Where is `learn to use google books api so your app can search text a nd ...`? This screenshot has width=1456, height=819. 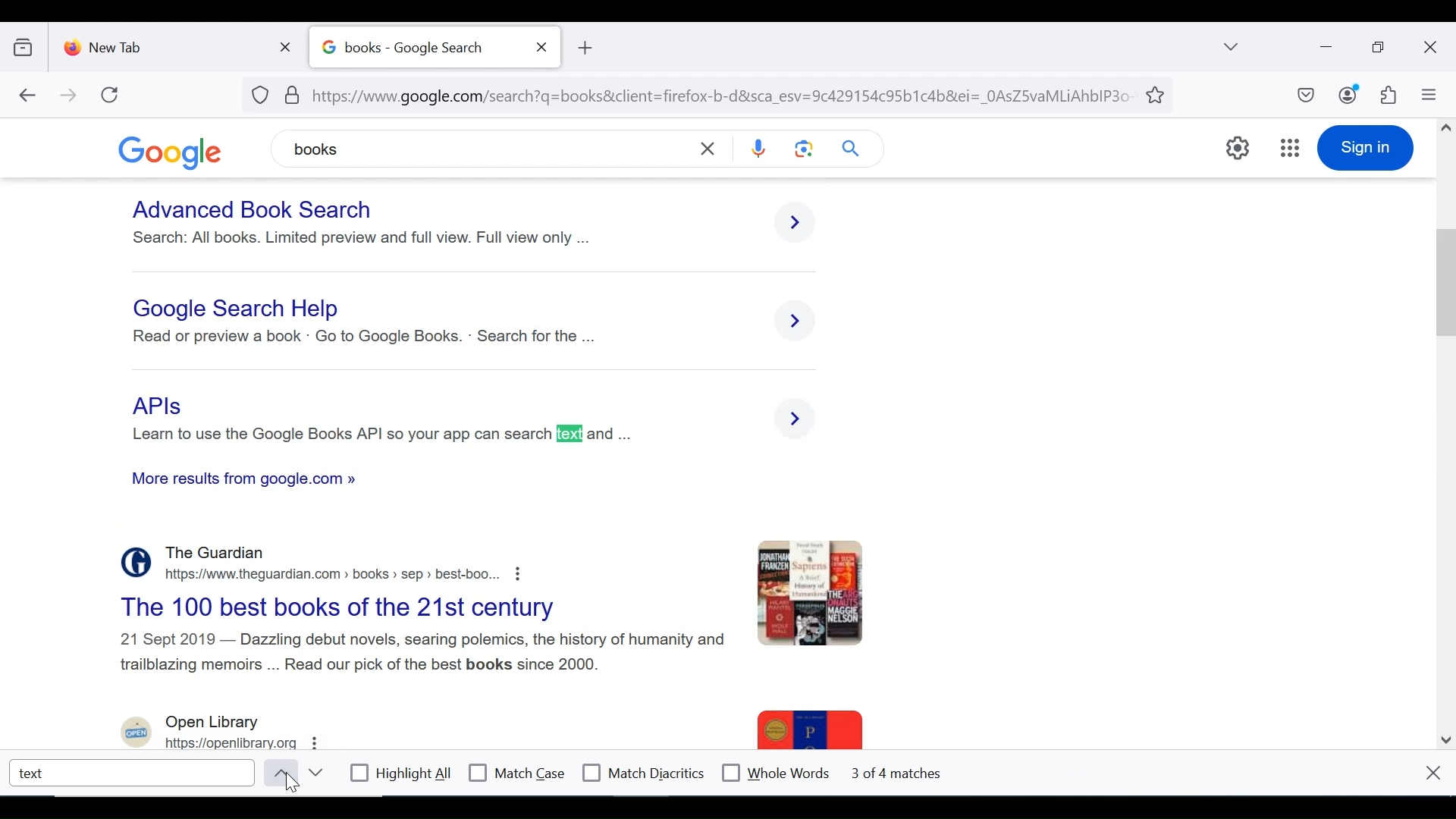 learn to use google books api so your app can search text a nd ... is located at coordinates (379, 435).